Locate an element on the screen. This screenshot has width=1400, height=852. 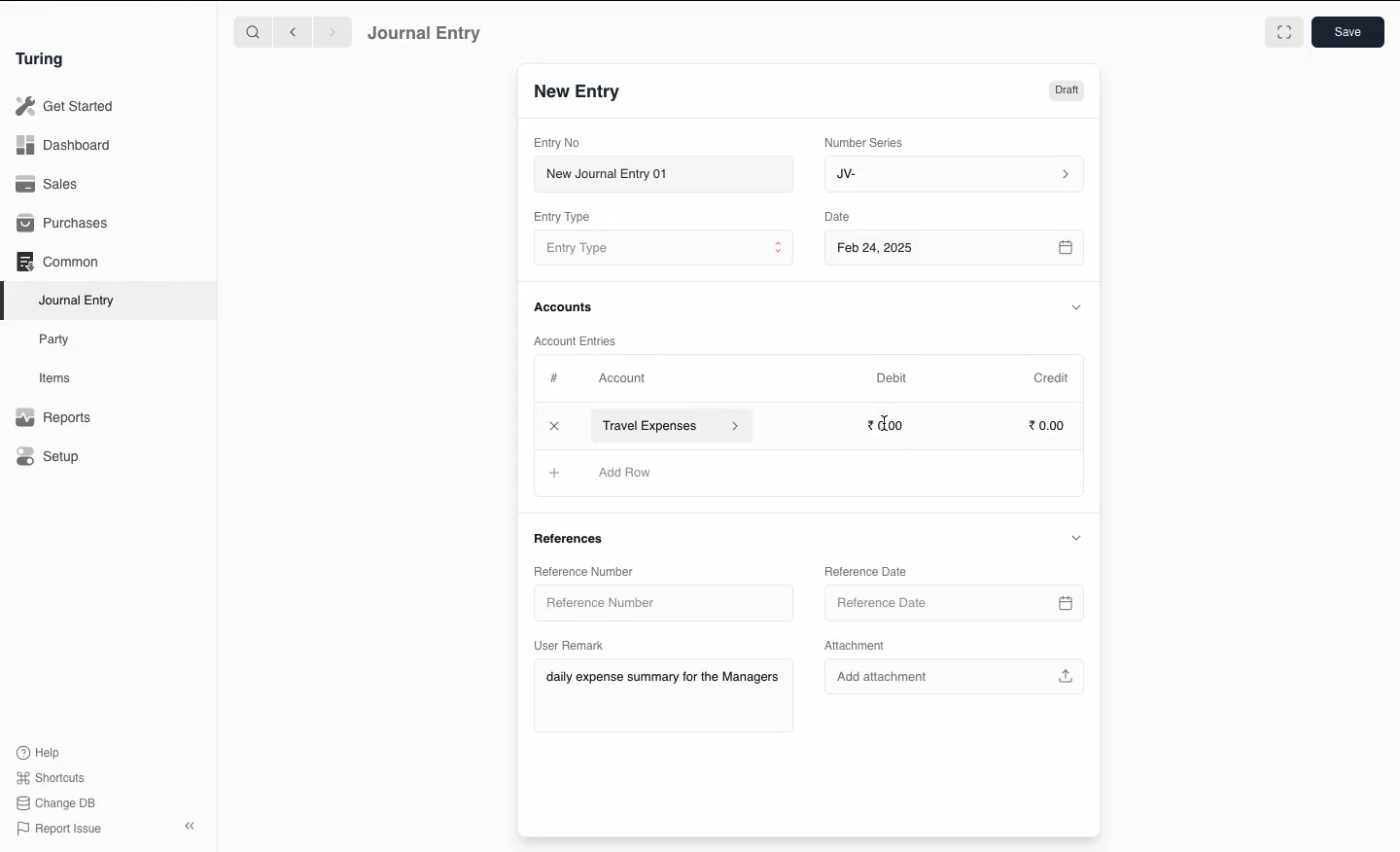
Reports is located at coordinates (53, 417).